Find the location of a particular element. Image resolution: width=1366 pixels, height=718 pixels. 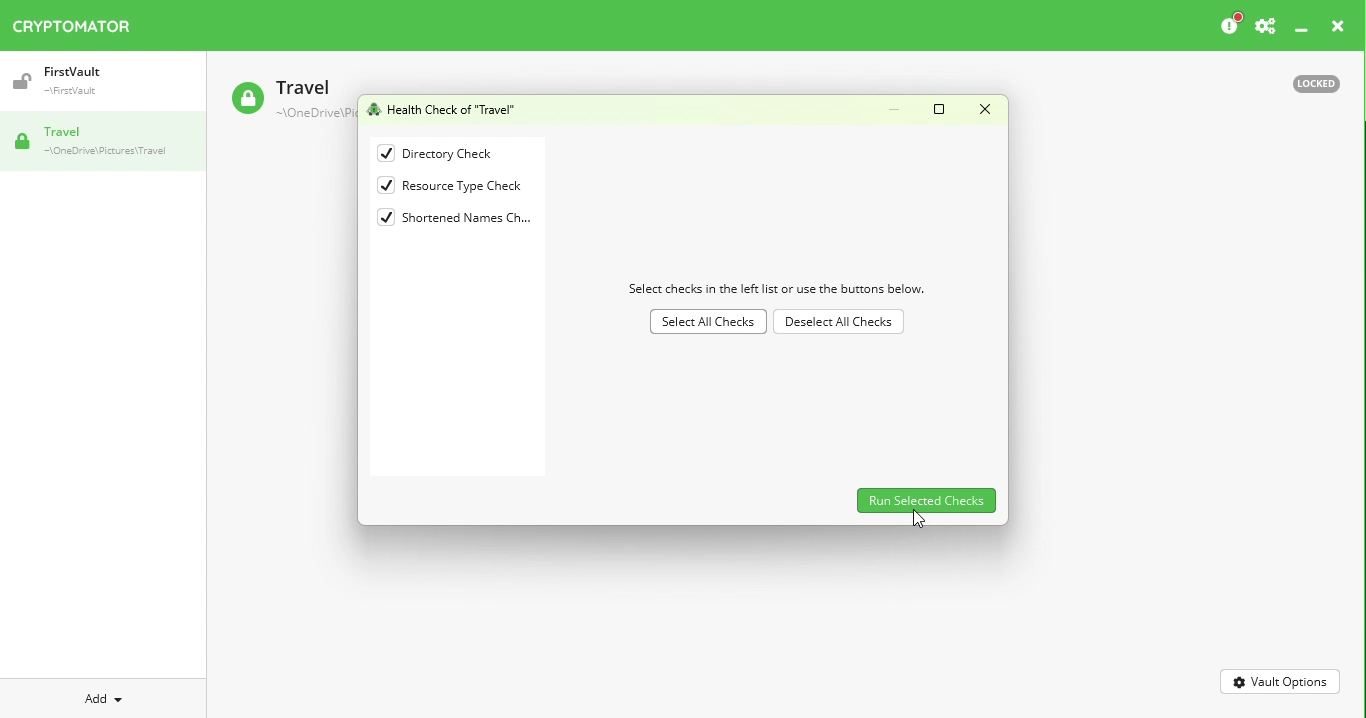

checked checkbox is located at coordinates (384, 154).